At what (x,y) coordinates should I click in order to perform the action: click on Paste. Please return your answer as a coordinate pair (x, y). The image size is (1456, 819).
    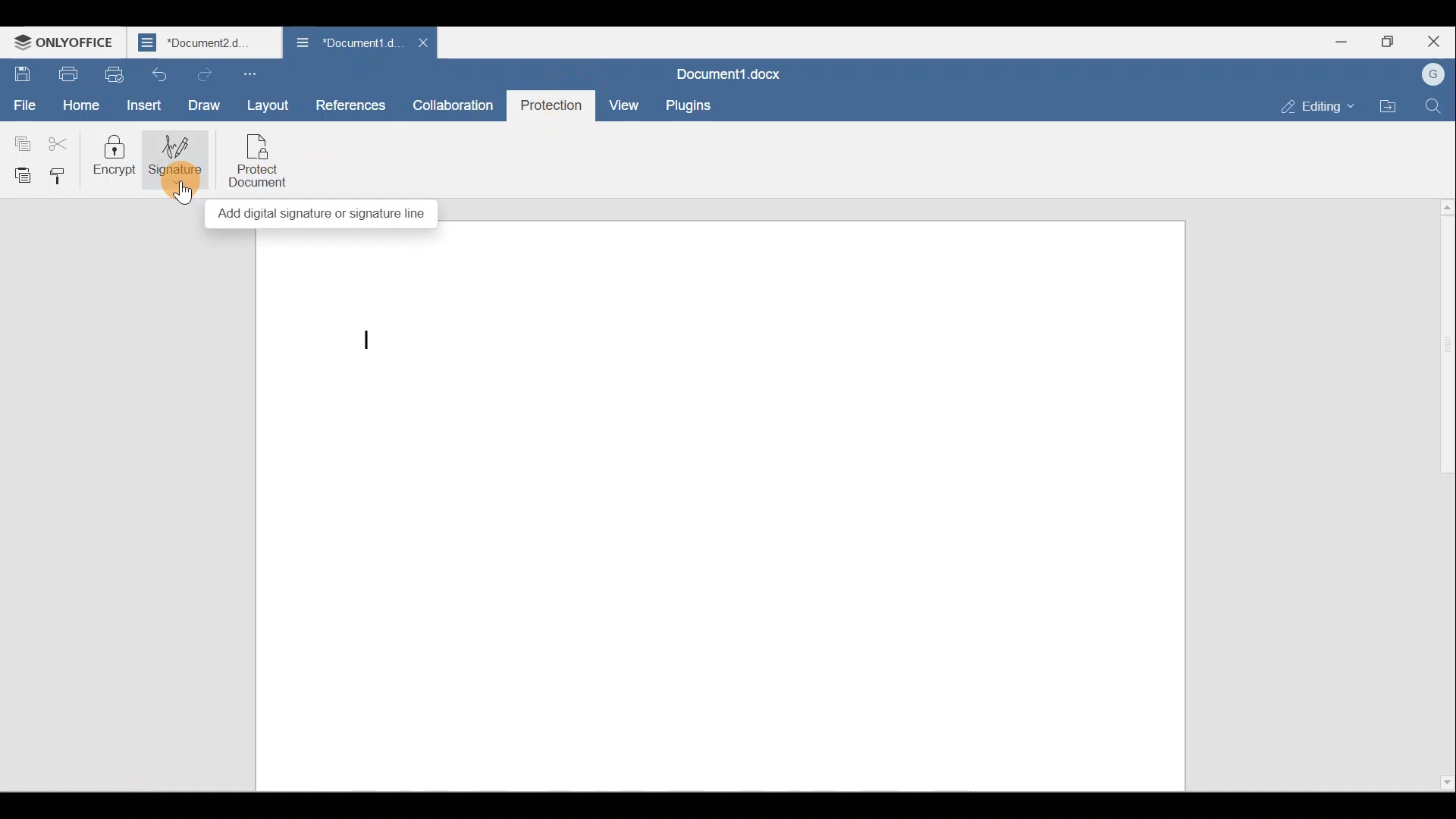
    Looking at the image, I should click on (17, 170).